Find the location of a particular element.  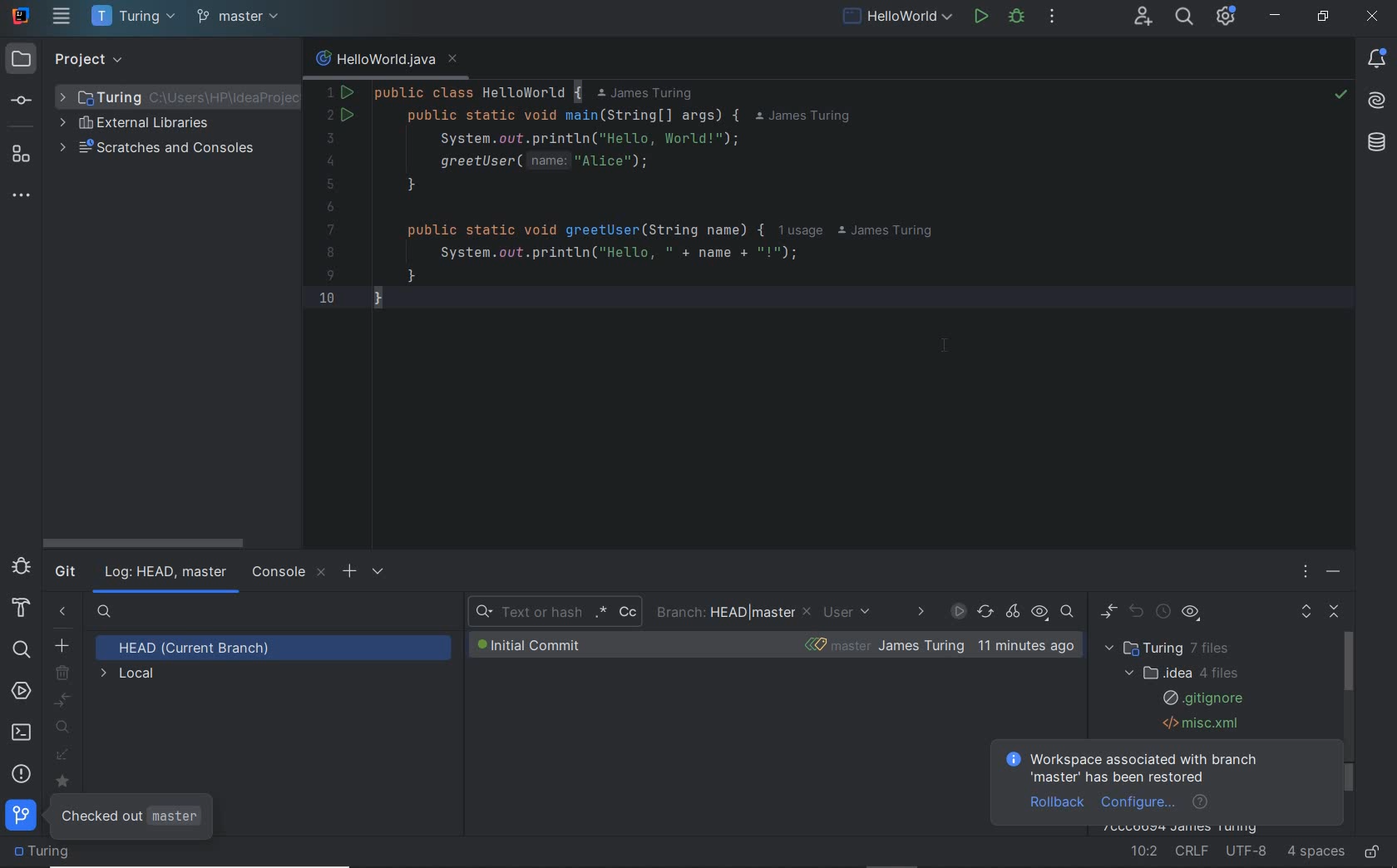

mark/unmark favorites is located at coordinates (66, 782).